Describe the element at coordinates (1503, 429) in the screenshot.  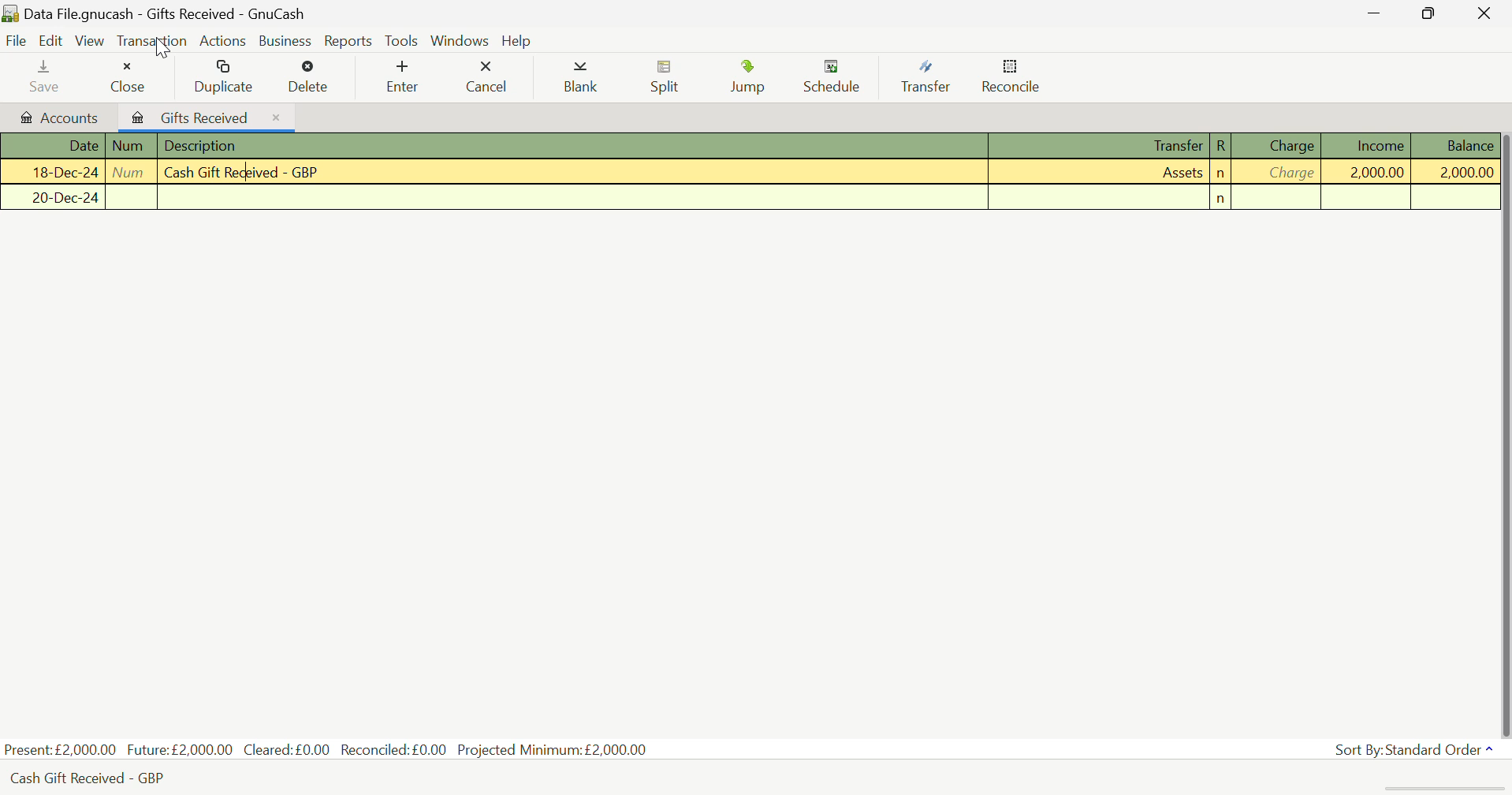
I see `Scroll Bar` at that location.